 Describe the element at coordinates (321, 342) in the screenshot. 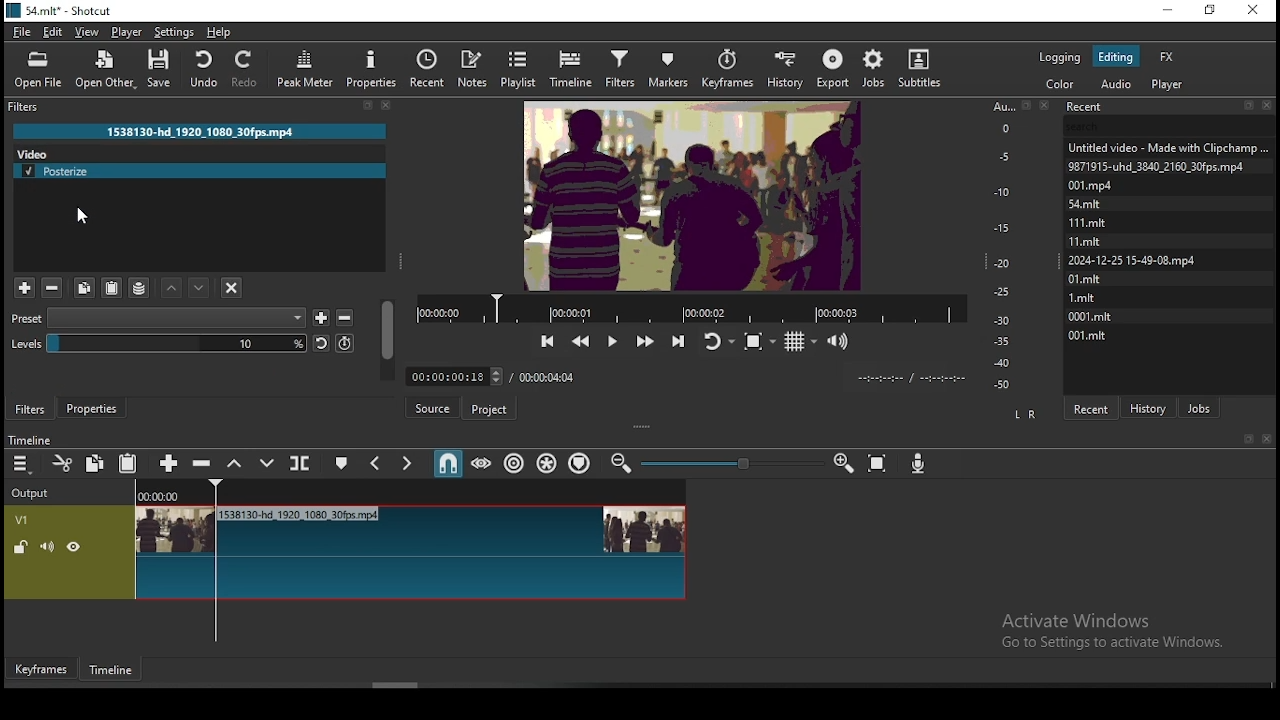

I see `reset` at that location.